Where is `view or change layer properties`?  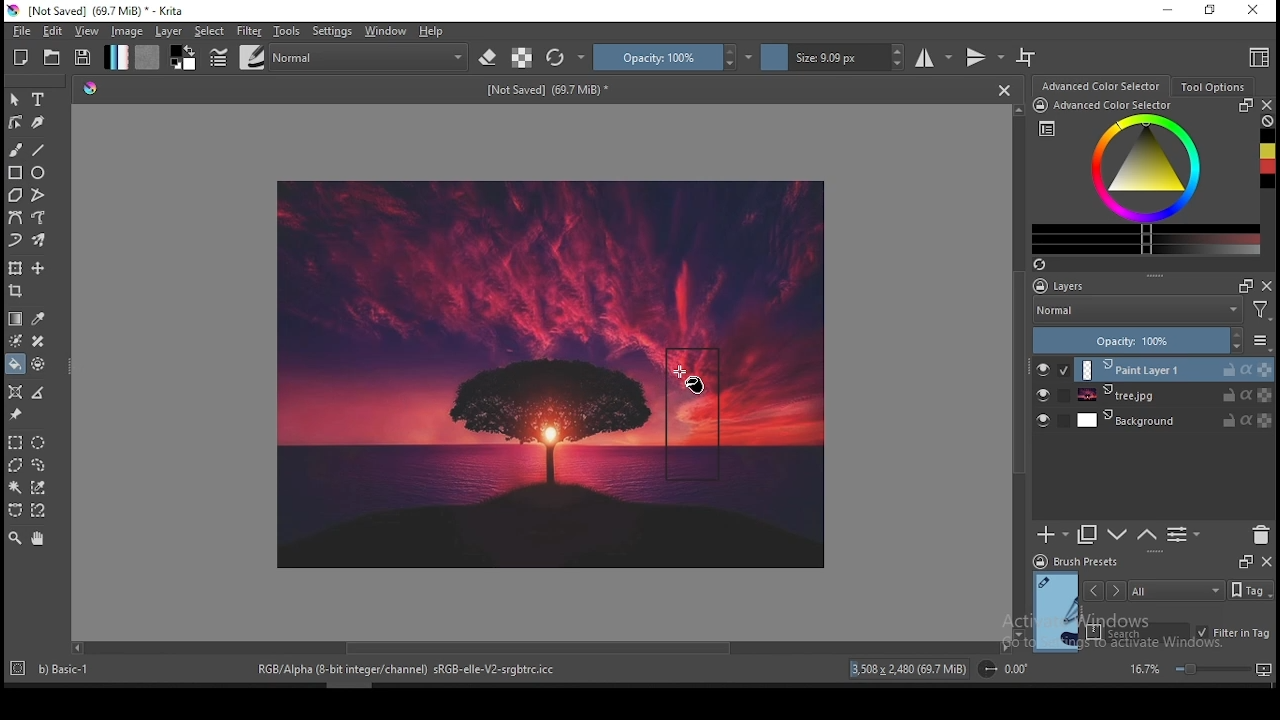 view or change layer properties is located at coordinates (1184, 535).